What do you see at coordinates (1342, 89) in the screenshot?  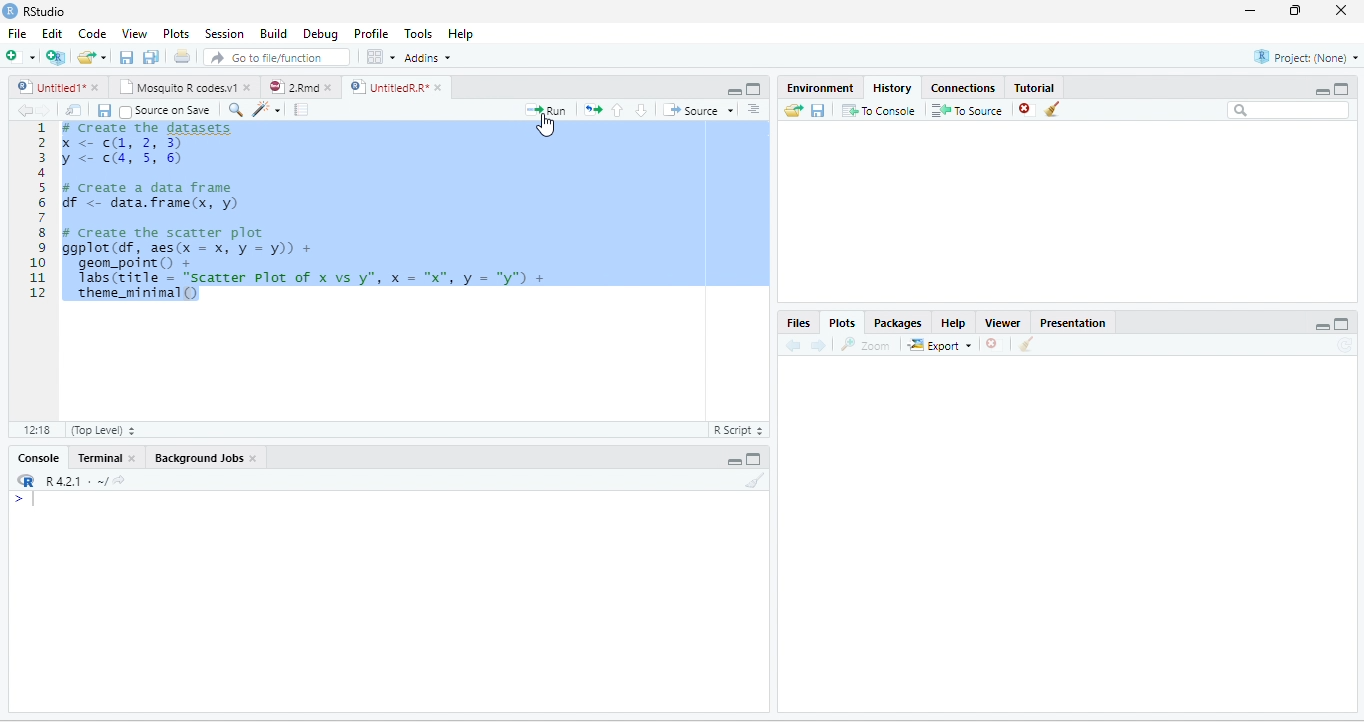 I see `Maximize` at bounding box center [1342, 89].